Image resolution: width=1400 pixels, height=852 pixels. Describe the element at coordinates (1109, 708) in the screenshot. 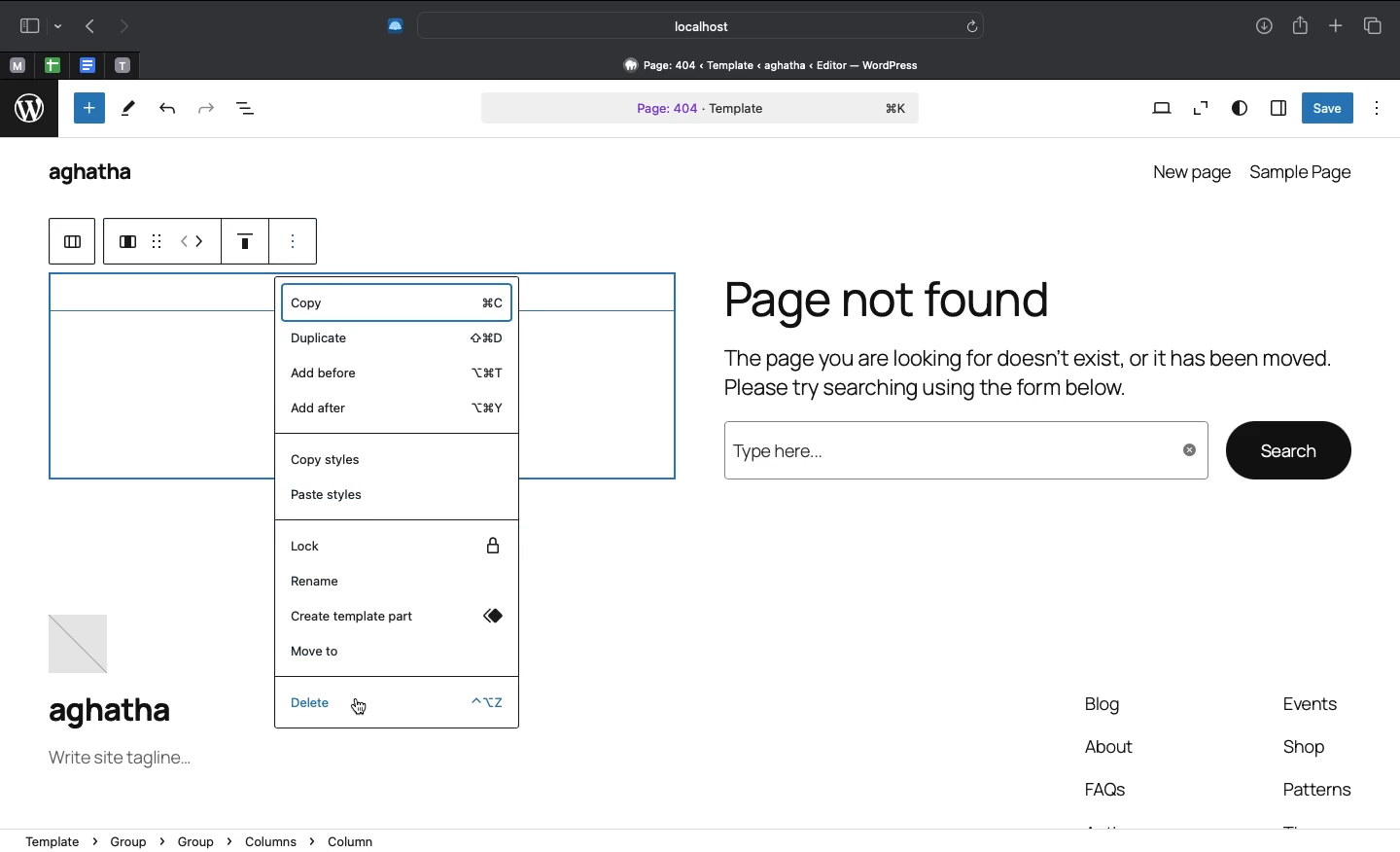

I see `Blog` at that location.